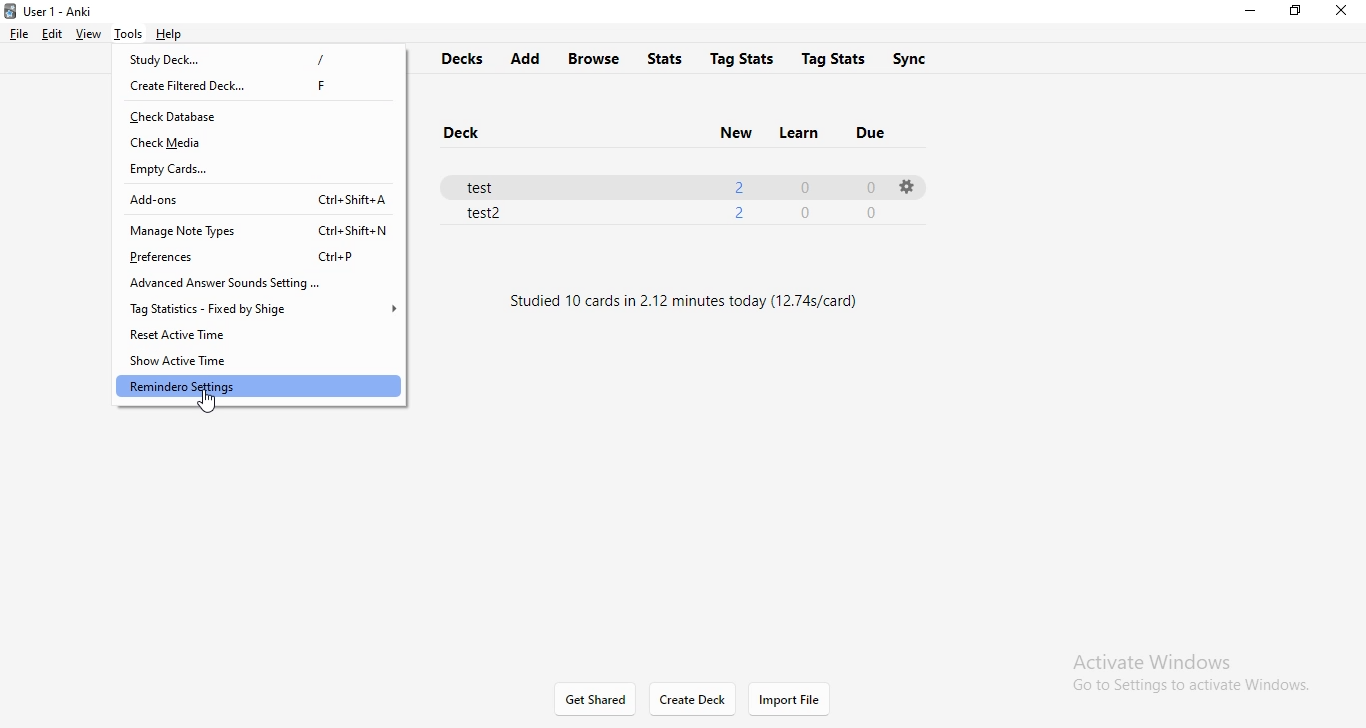 The height and width of the screenshot is (728, 1366). Describe the element at coordinates (694, 699) in the screenshot. I see `create deck` at that location.